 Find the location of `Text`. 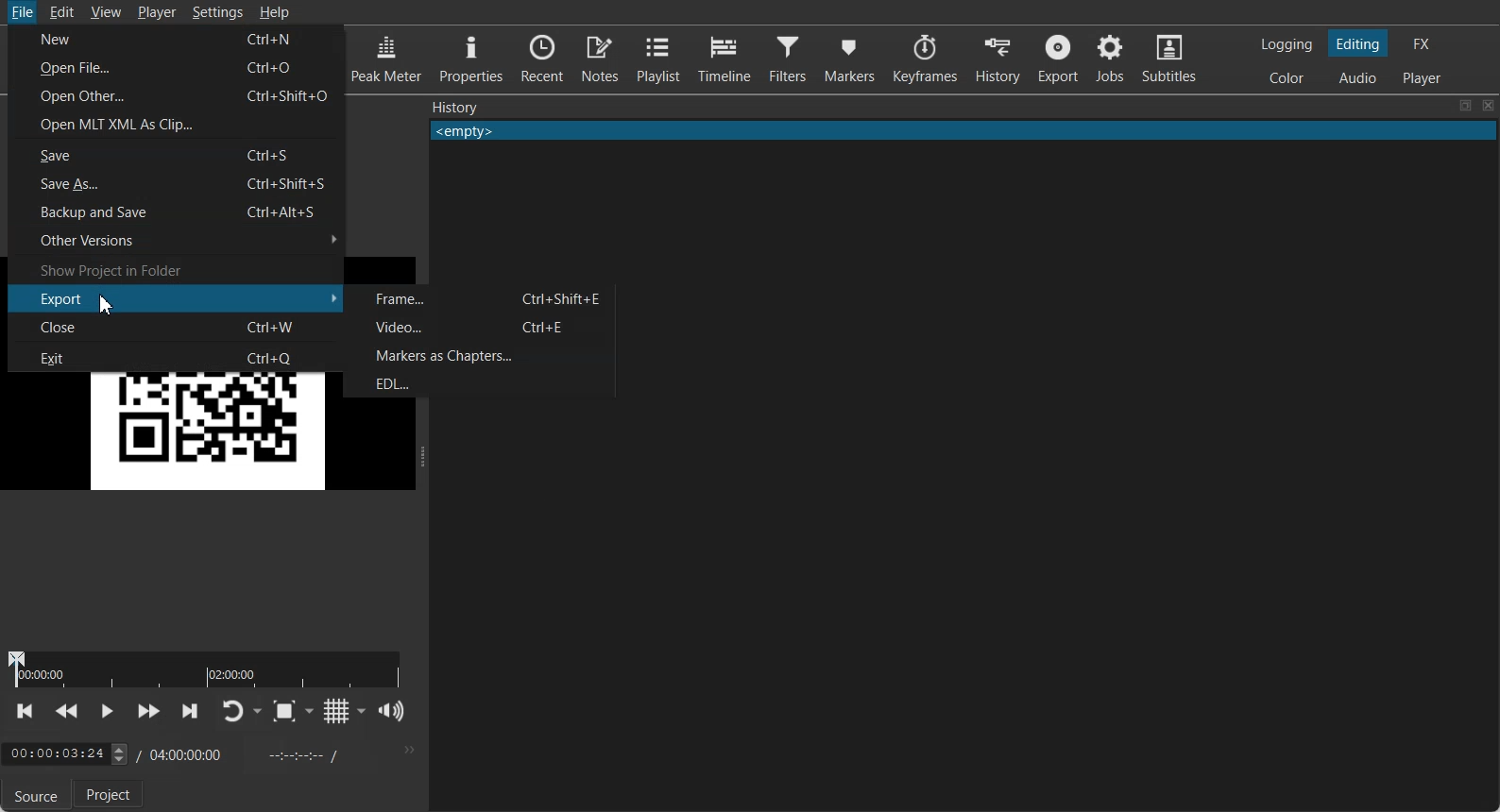

Text is located at coordinates (963, 131).